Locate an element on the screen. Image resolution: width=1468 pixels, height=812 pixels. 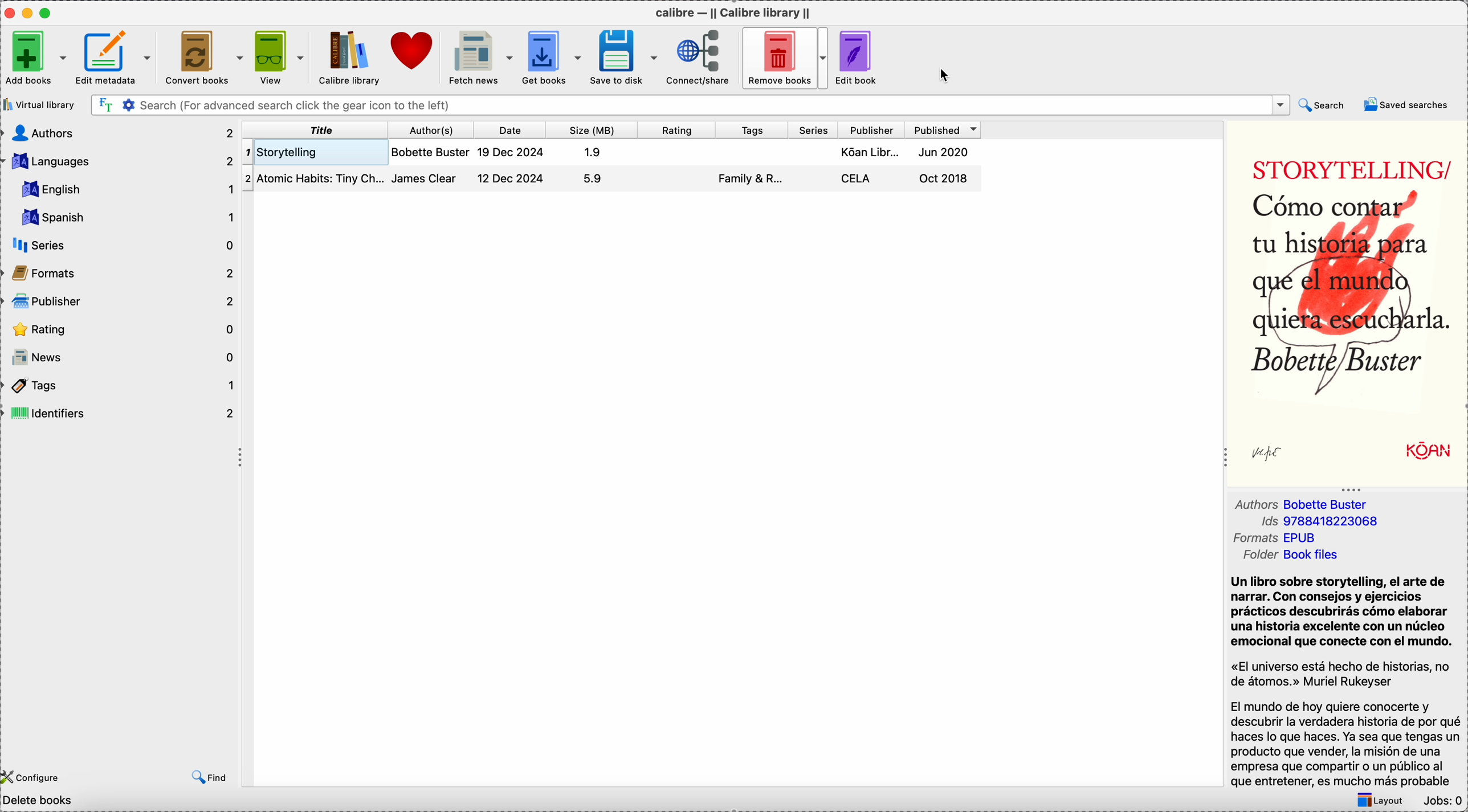
authors is located at coordinates (120, 131).